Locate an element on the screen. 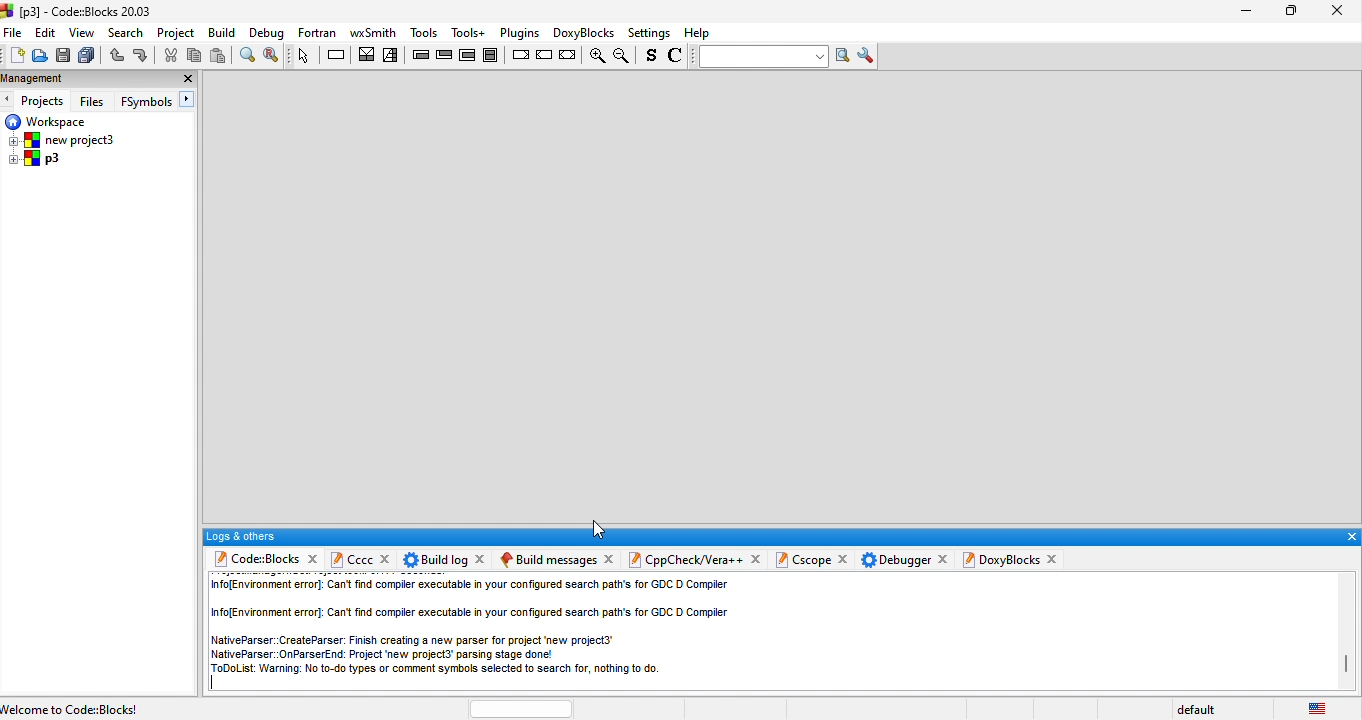  code blocks is located at coordinates (255, 560).